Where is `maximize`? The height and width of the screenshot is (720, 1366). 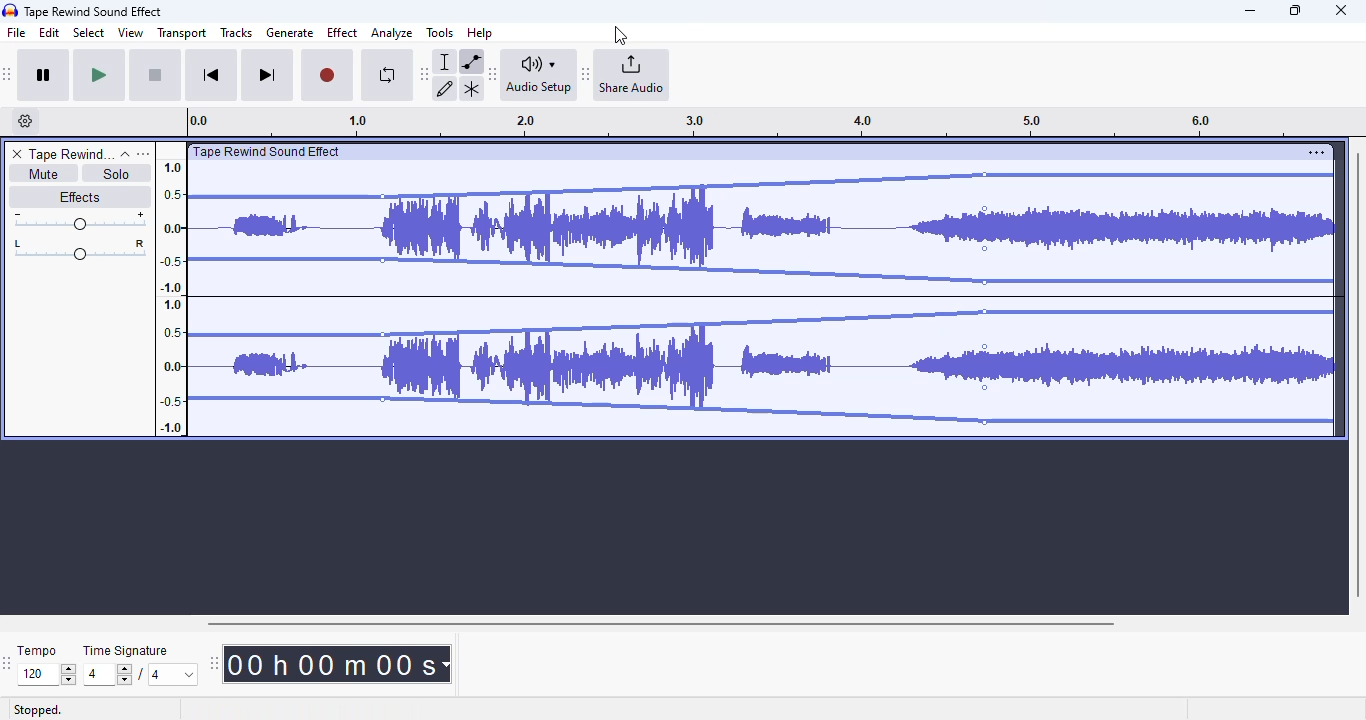
maximize is located at coordinates (1295, 10).